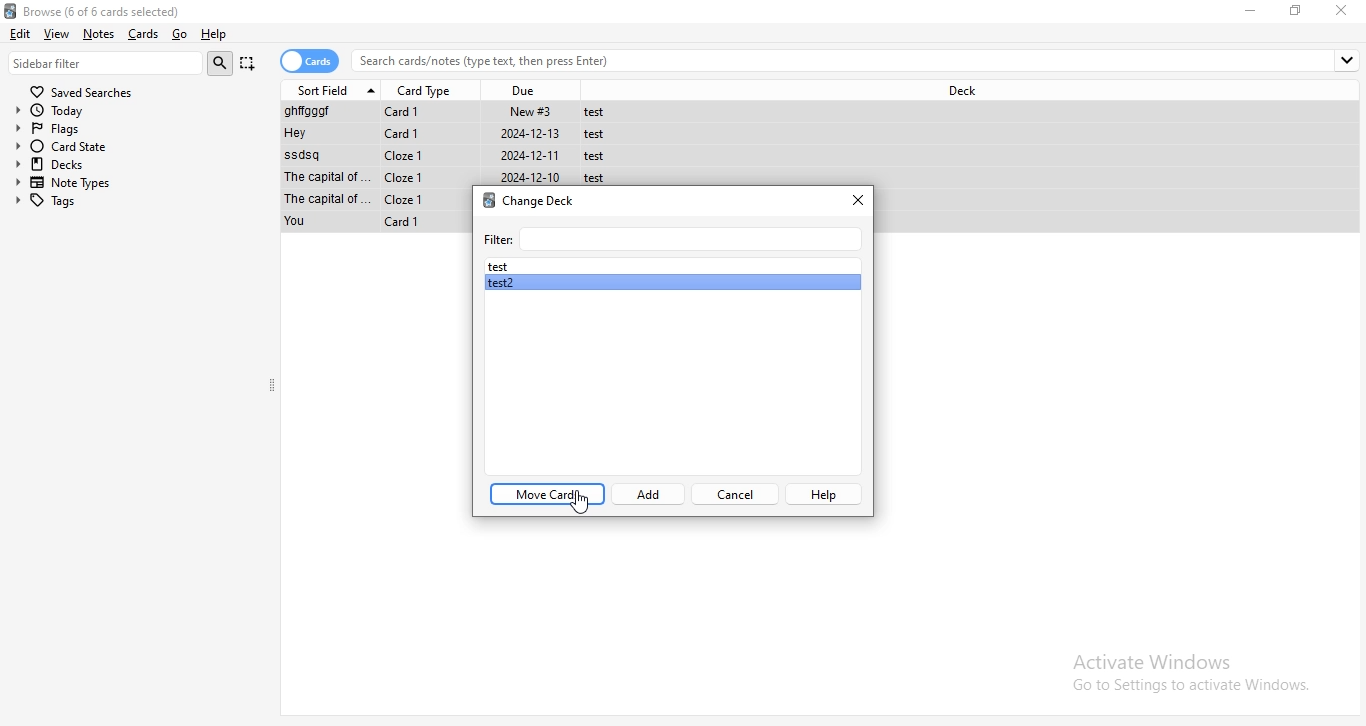 Image resolution: width=1366 pixels, height=726 pixels. What do you see at coordinates (547, 494) in the screenshot?
I see `move cards` at bounding box center [547, 494].